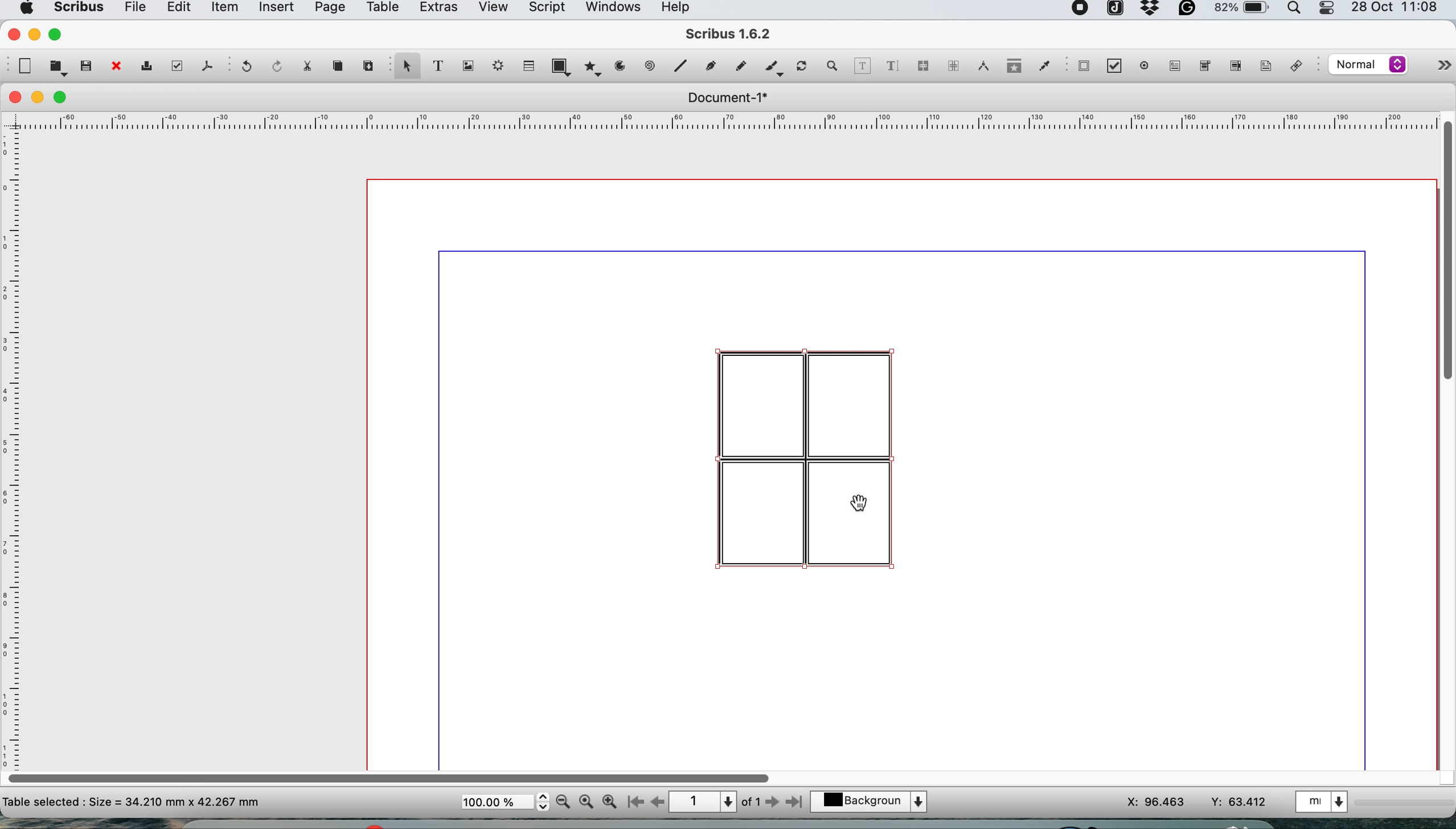 The image size is (1456, 829). What do you see at coordinates (681, 9) in the screenshot?
I see `help` at bounding box center [681, 9].